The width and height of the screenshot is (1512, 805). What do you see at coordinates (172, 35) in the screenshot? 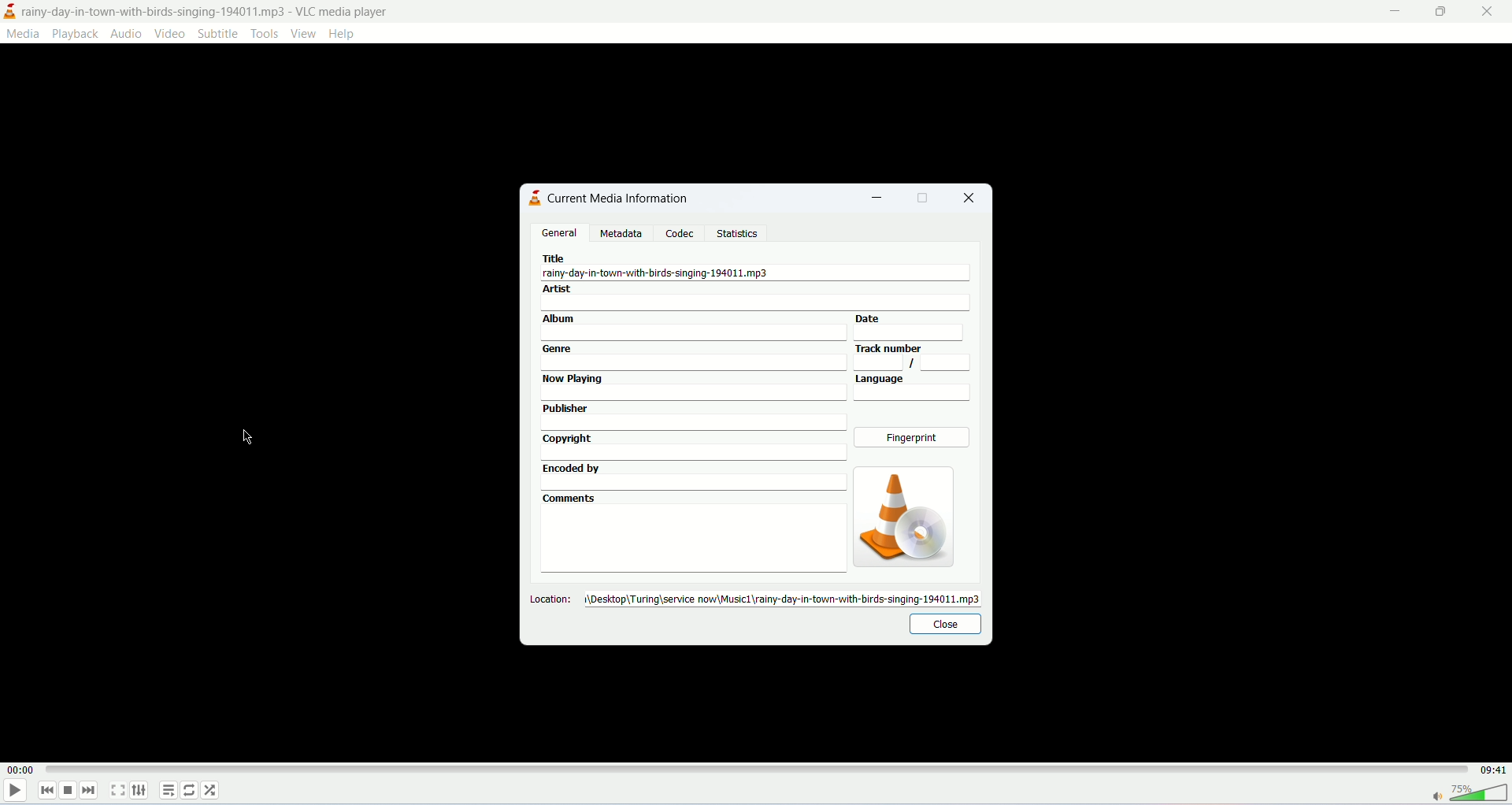
I see `video` at bounding box center [172, 35].